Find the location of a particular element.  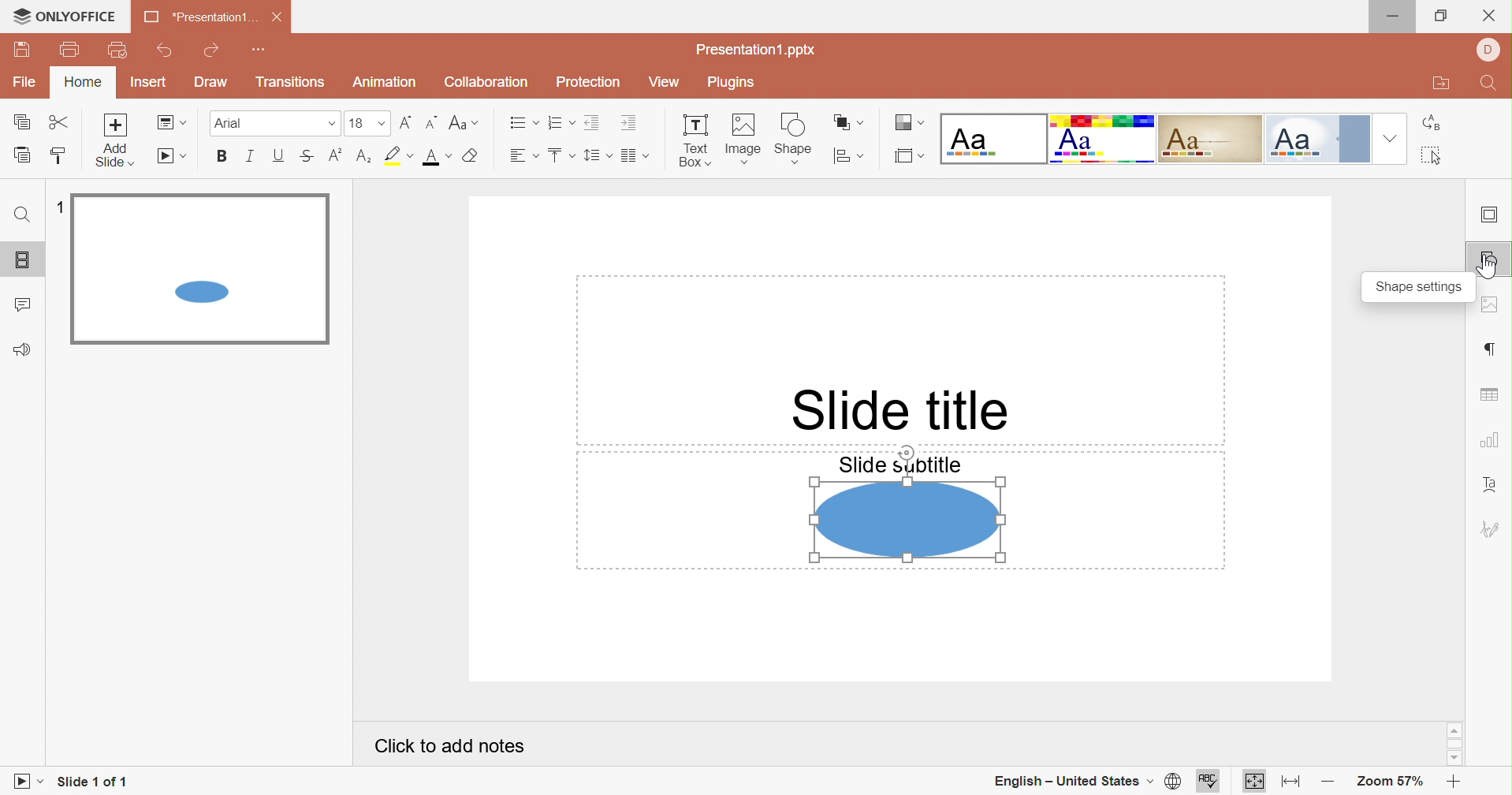

Zoom in is located at coordinates (1451, 783).